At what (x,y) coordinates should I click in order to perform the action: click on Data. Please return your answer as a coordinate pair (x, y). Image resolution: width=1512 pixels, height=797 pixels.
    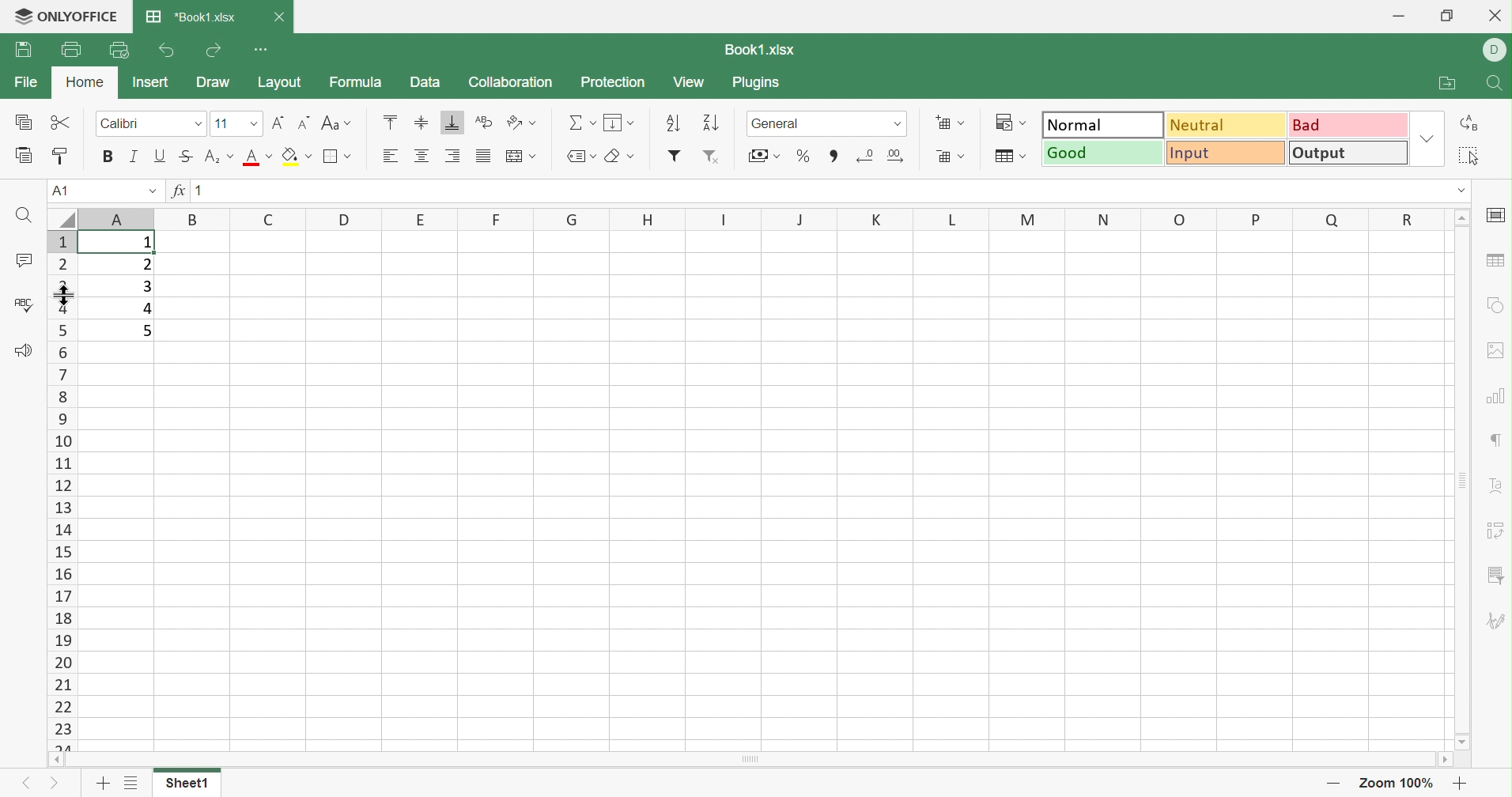
    Looking at the image, I should click on (424, 83).